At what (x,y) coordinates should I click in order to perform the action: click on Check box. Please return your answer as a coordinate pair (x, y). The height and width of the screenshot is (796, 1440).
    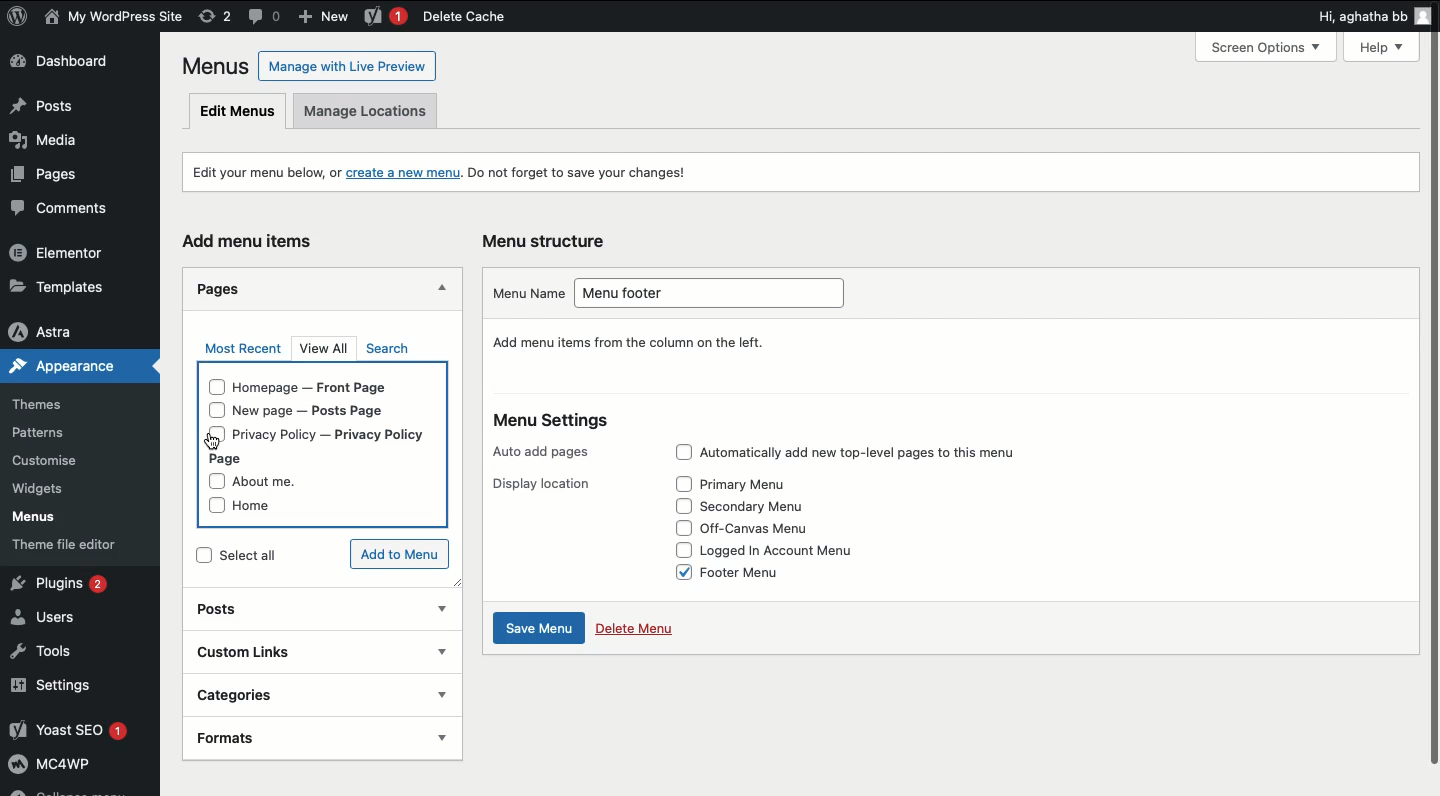
    Looking at the image, I should click on (679, 528).